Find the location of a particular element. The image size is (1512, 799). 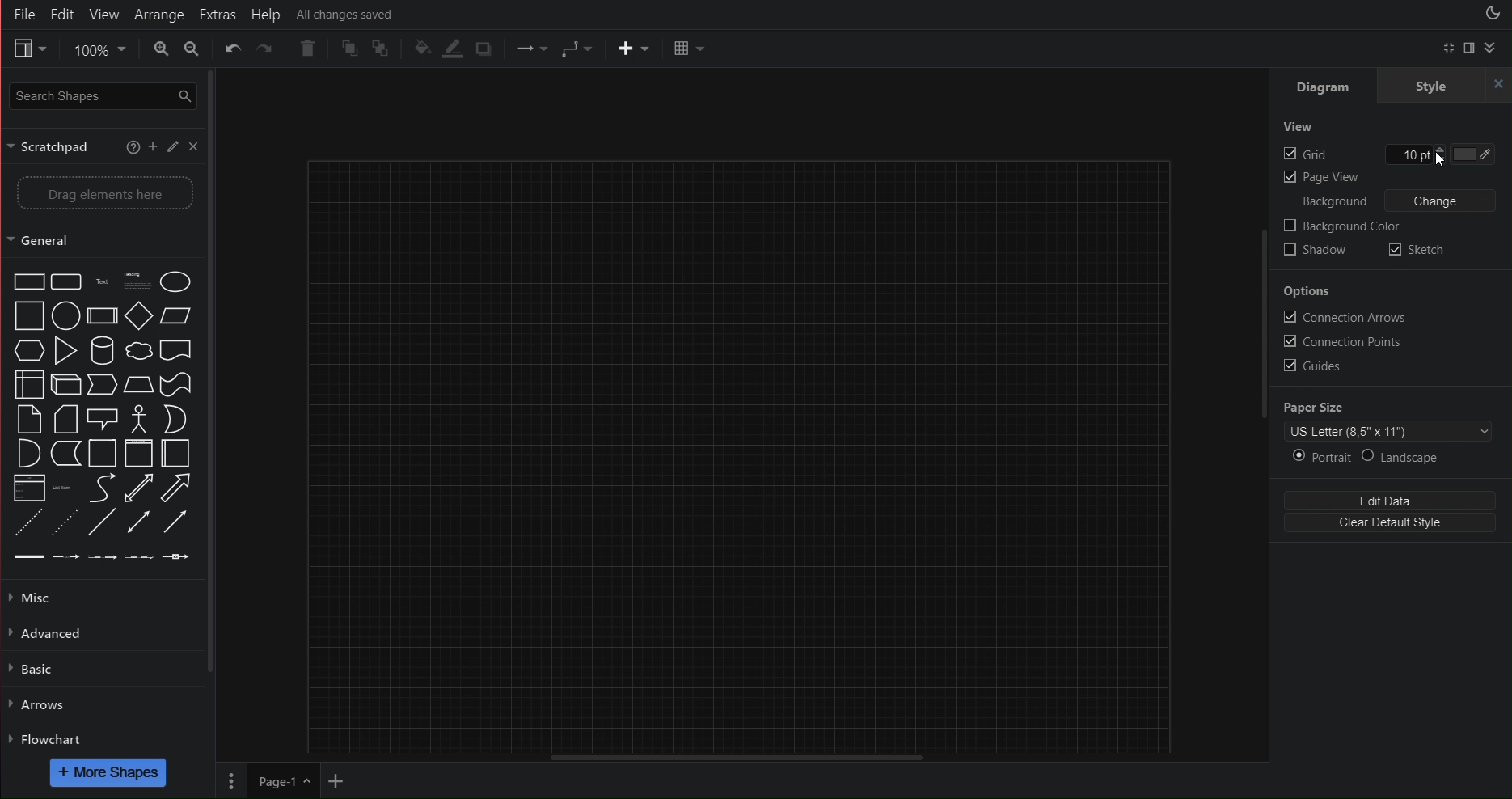

Zoom Out is located at coordinates (194, 51).